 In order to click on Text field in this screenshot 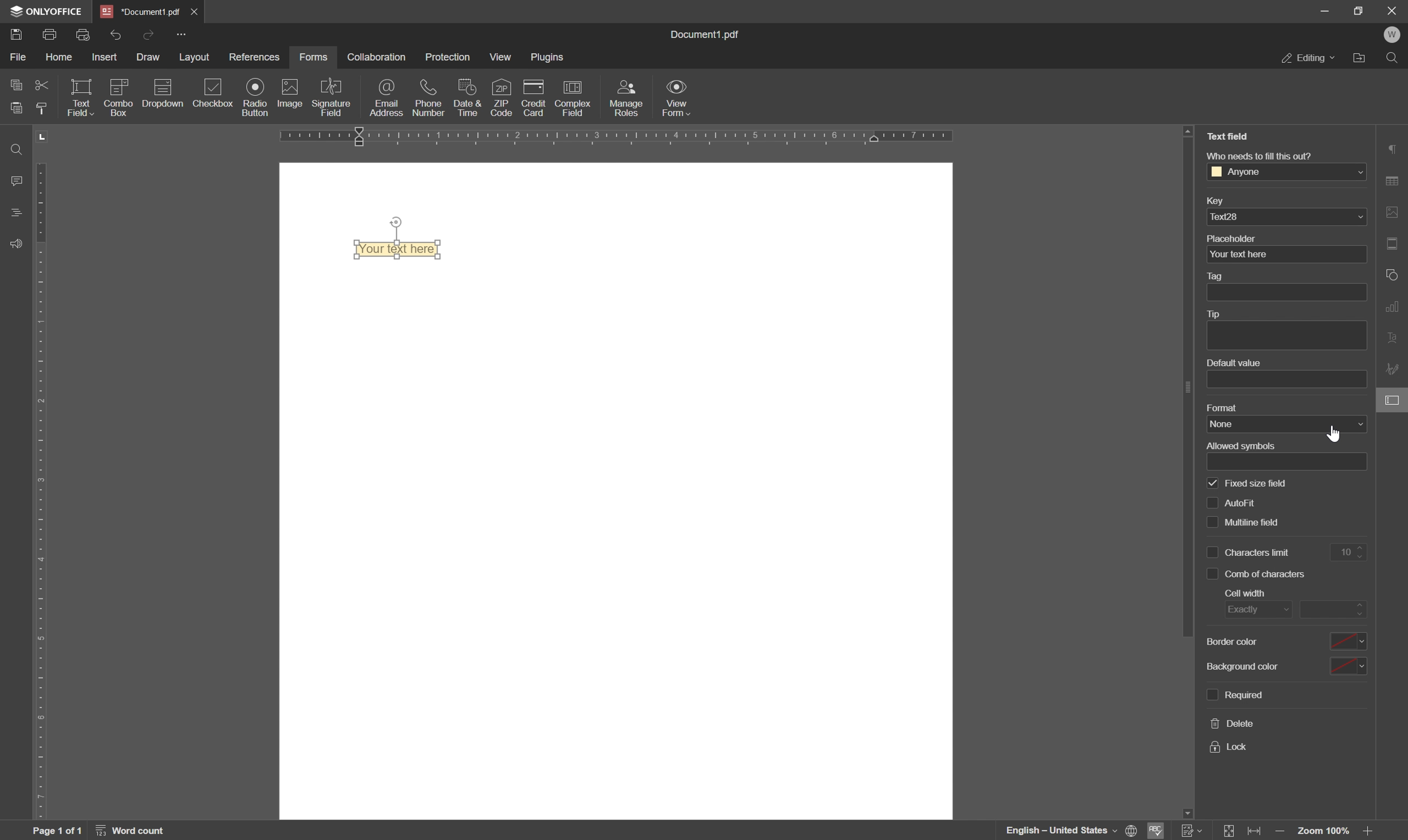, I will do `click(1233, 135)`.